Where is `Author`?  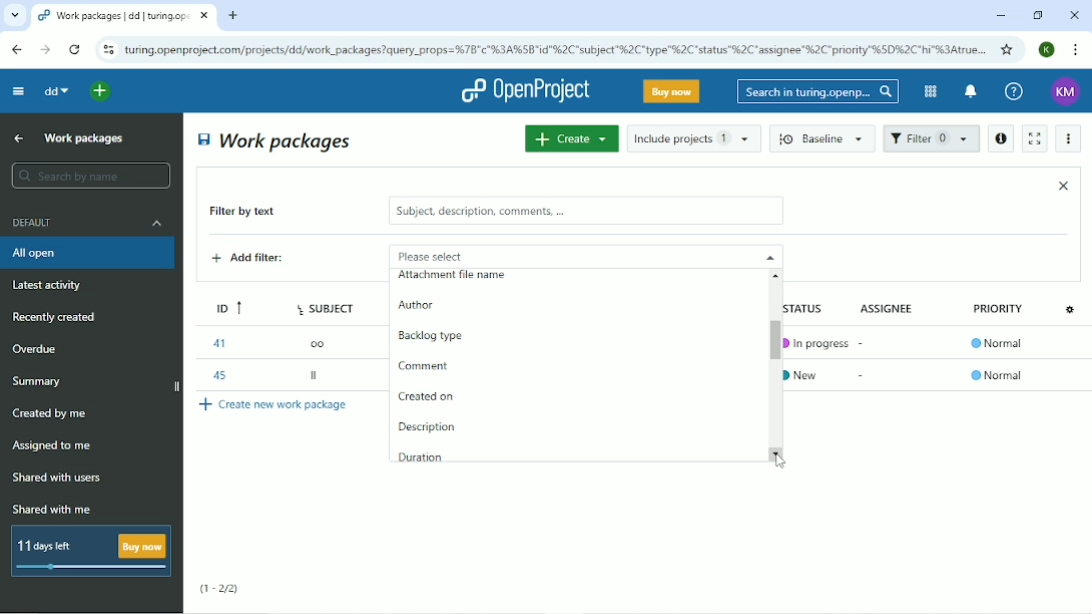 Author is located at coordinates (416, 308).